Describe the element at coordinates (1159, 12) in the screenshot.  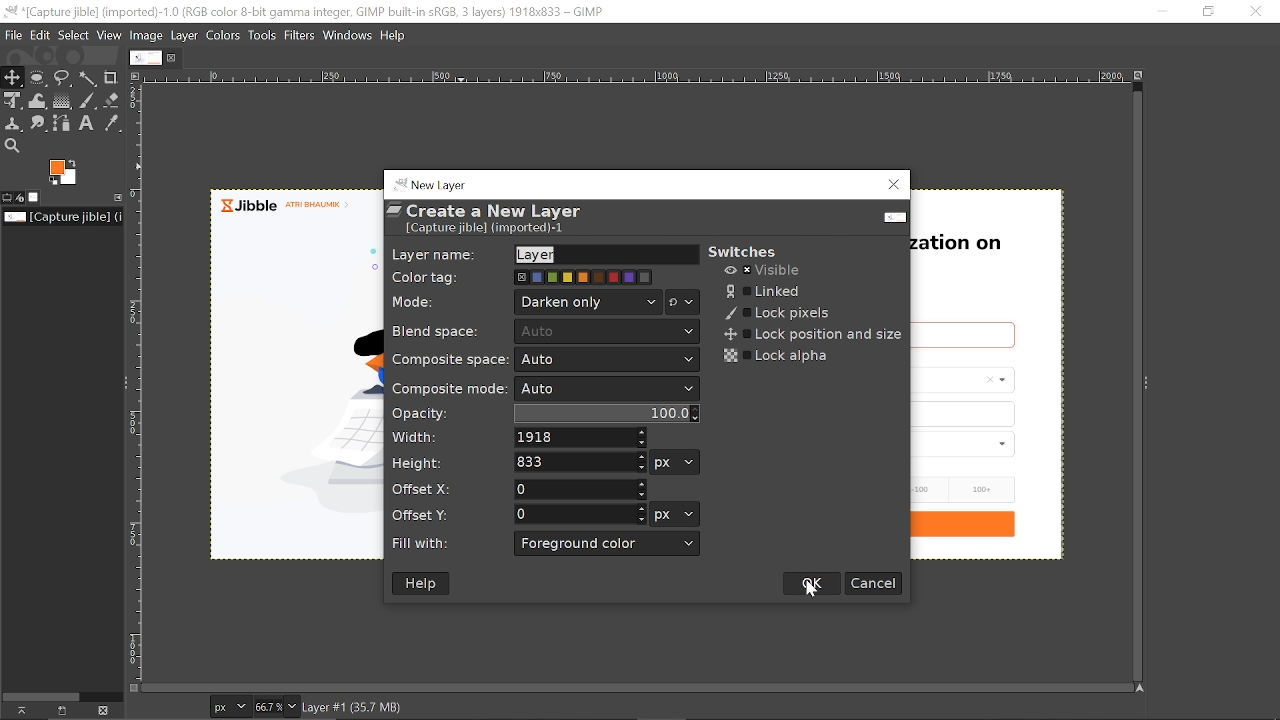
I see `Minimize` at that location.